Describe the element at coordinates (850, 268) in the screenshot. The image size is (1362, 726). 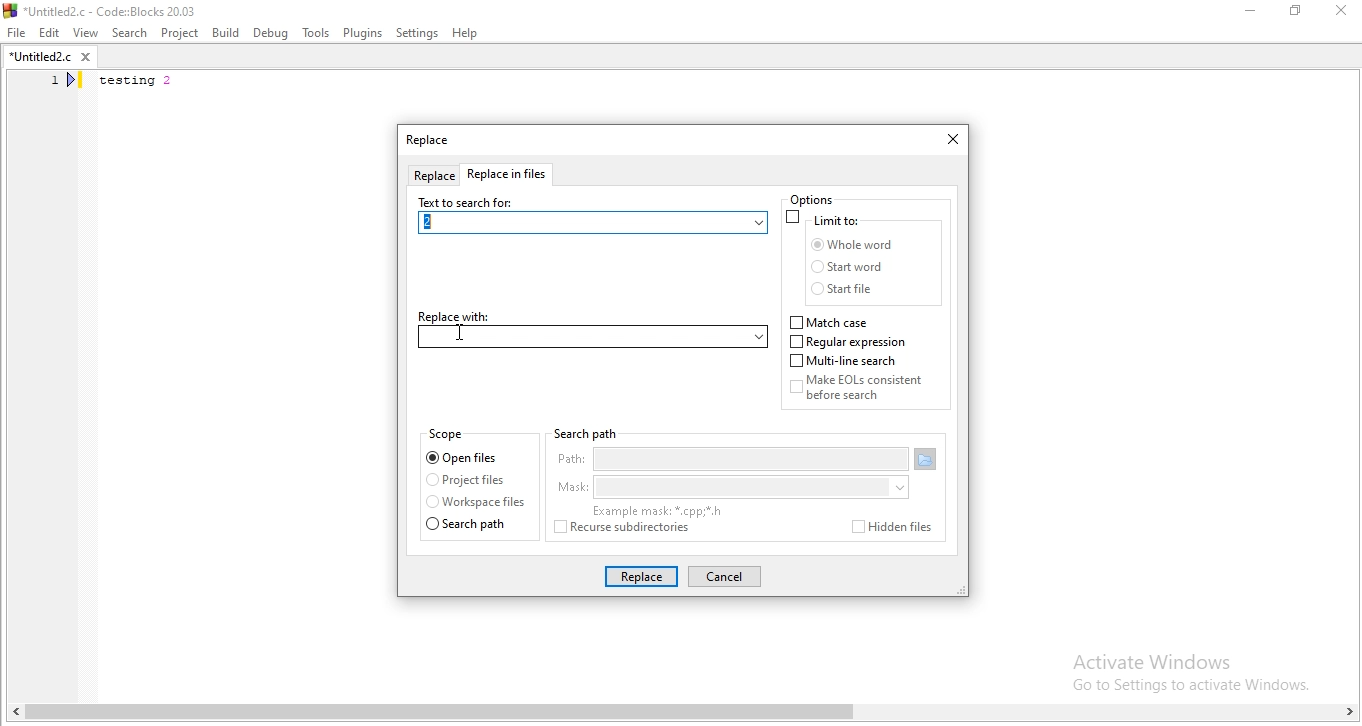
I see `start word` at that location.